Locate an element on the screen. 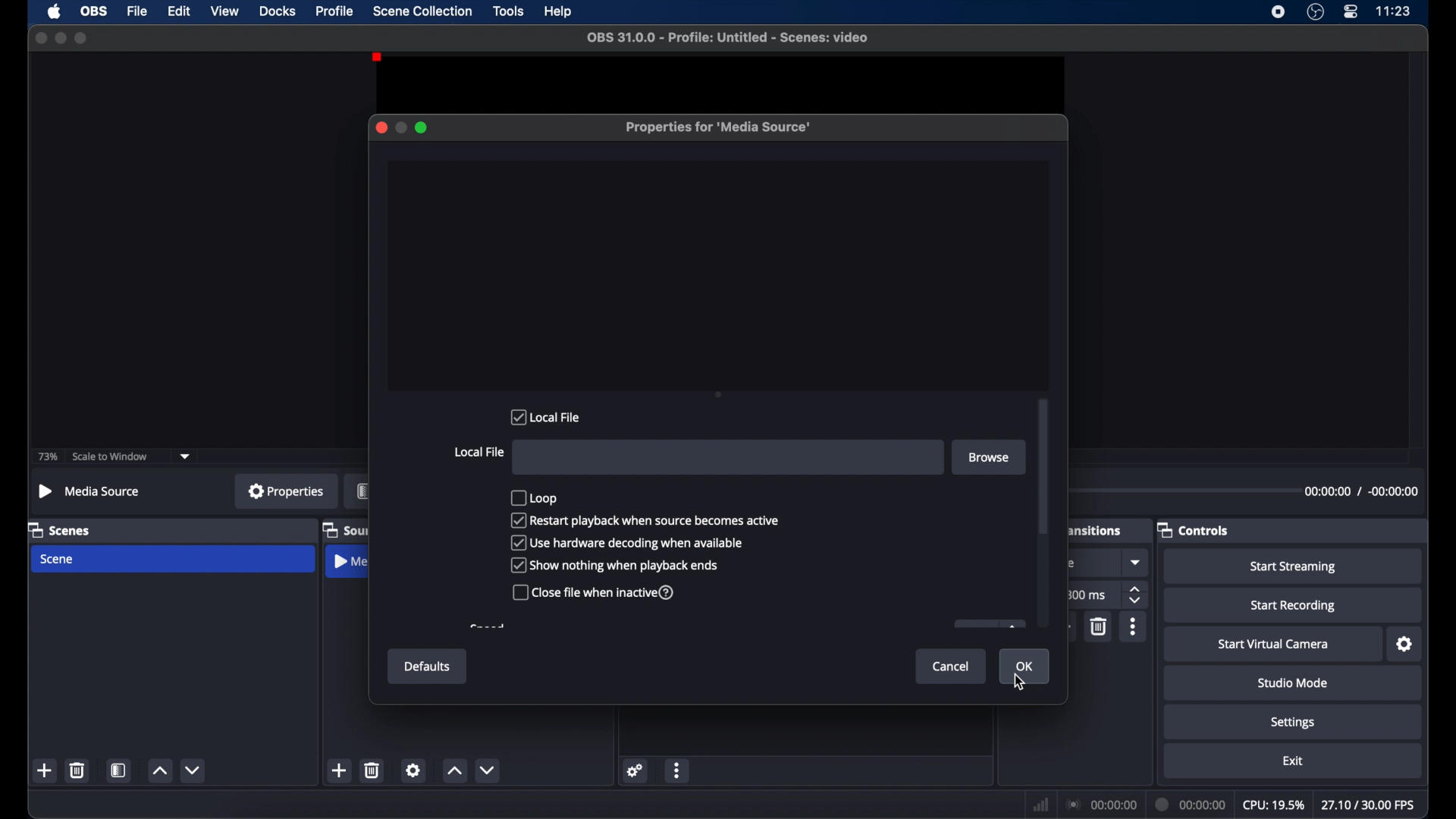 The height and width of the screenshot is (819, 1456). file name is located at coordinates (729, 38).